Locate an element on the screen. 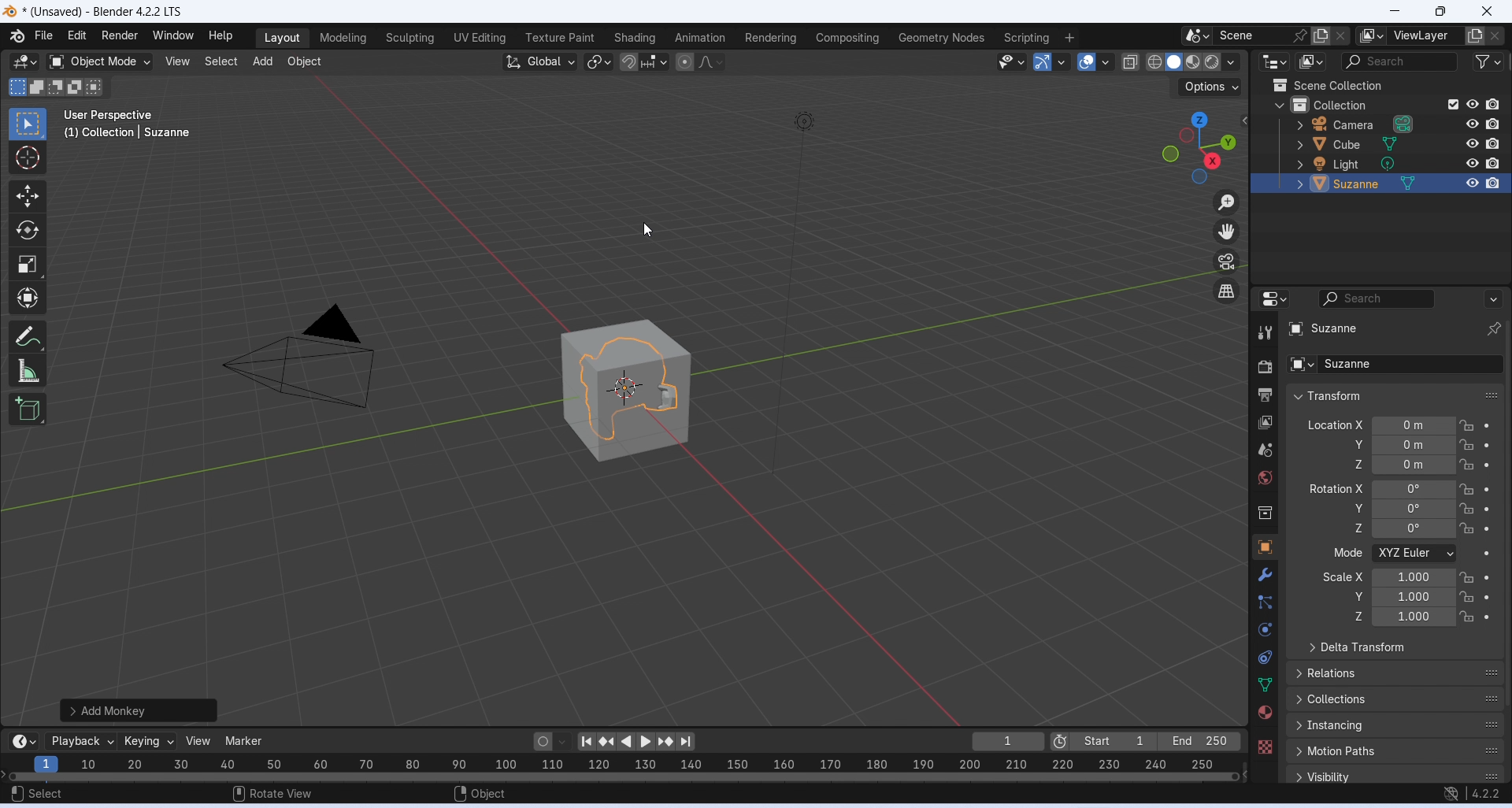 Image resolution: width=1512 pixels, height=808 pixels. proportional editing objects is located at coordinates (686, 62).